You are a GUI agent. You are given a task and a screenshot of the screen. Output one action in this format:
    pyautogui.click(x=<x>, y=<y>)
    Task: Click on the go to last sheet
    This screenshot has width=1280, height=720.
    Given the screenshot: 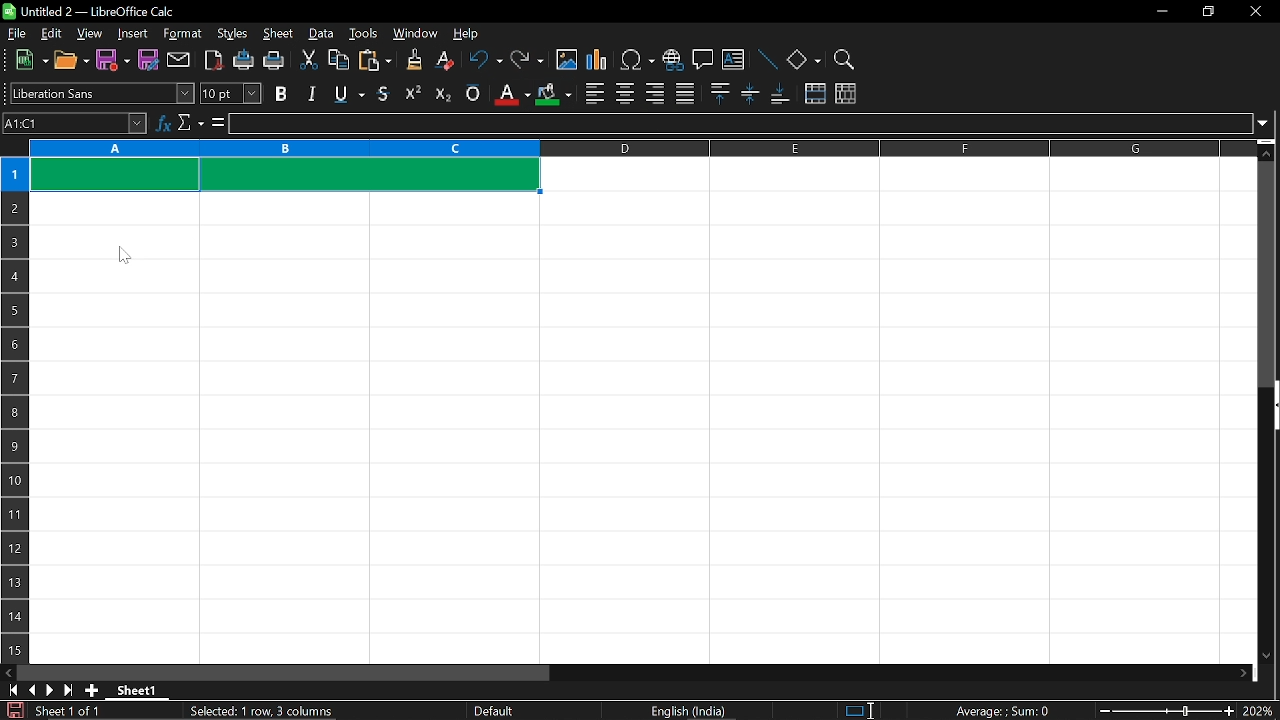 What is the action you would take?
    pyautogui.click(x=66, y=691)
    